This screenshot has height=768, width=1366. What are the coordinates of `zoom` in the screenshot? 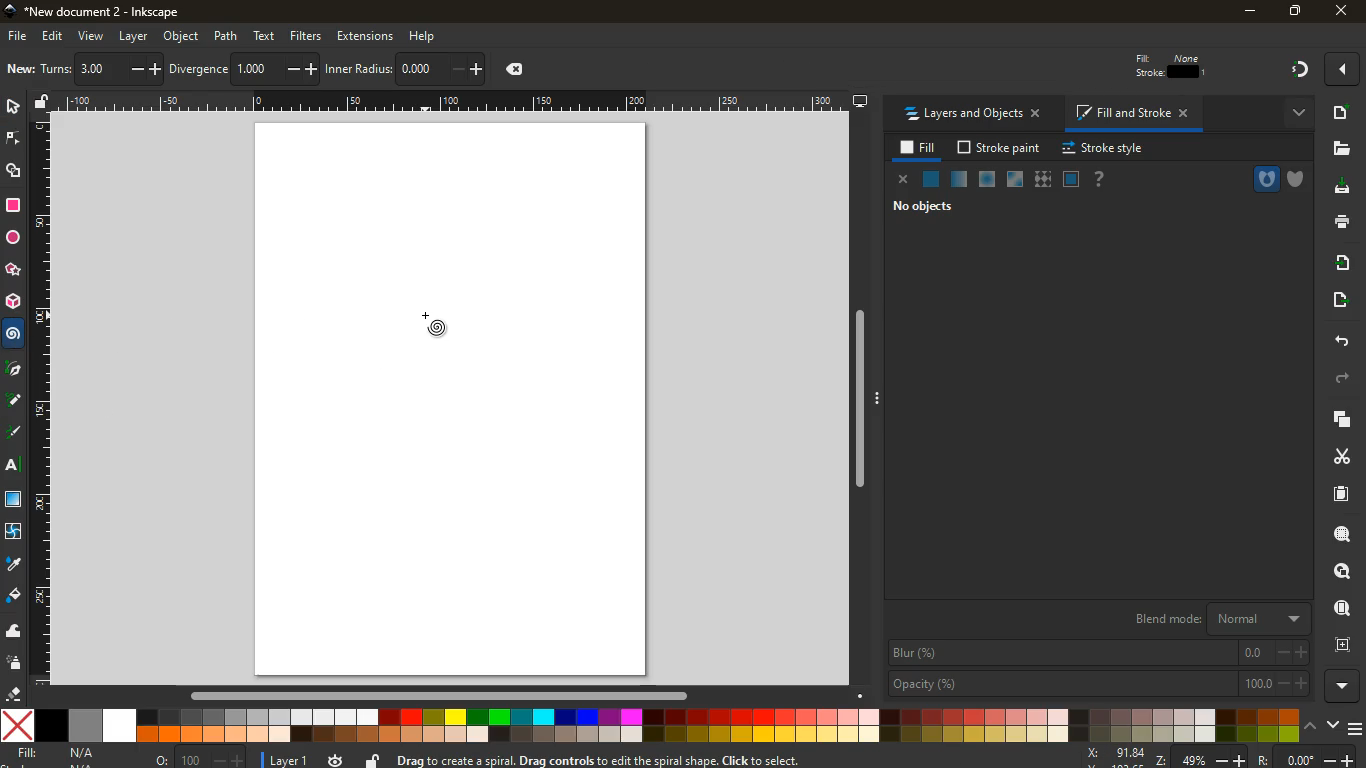 It's located at (1226, 756).